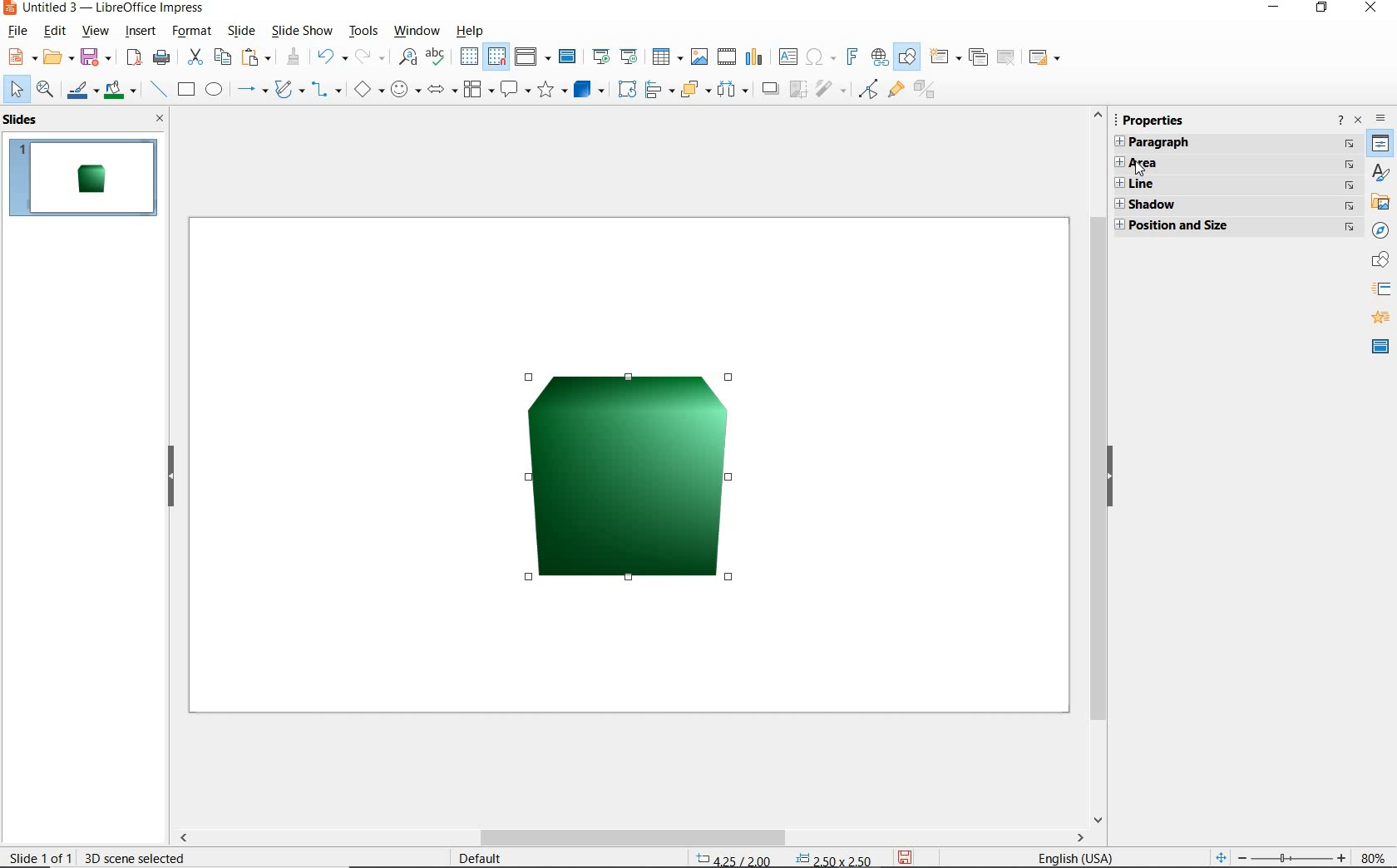 The image size is (1397, 868). I want to click on insert image, so click(699, 57).